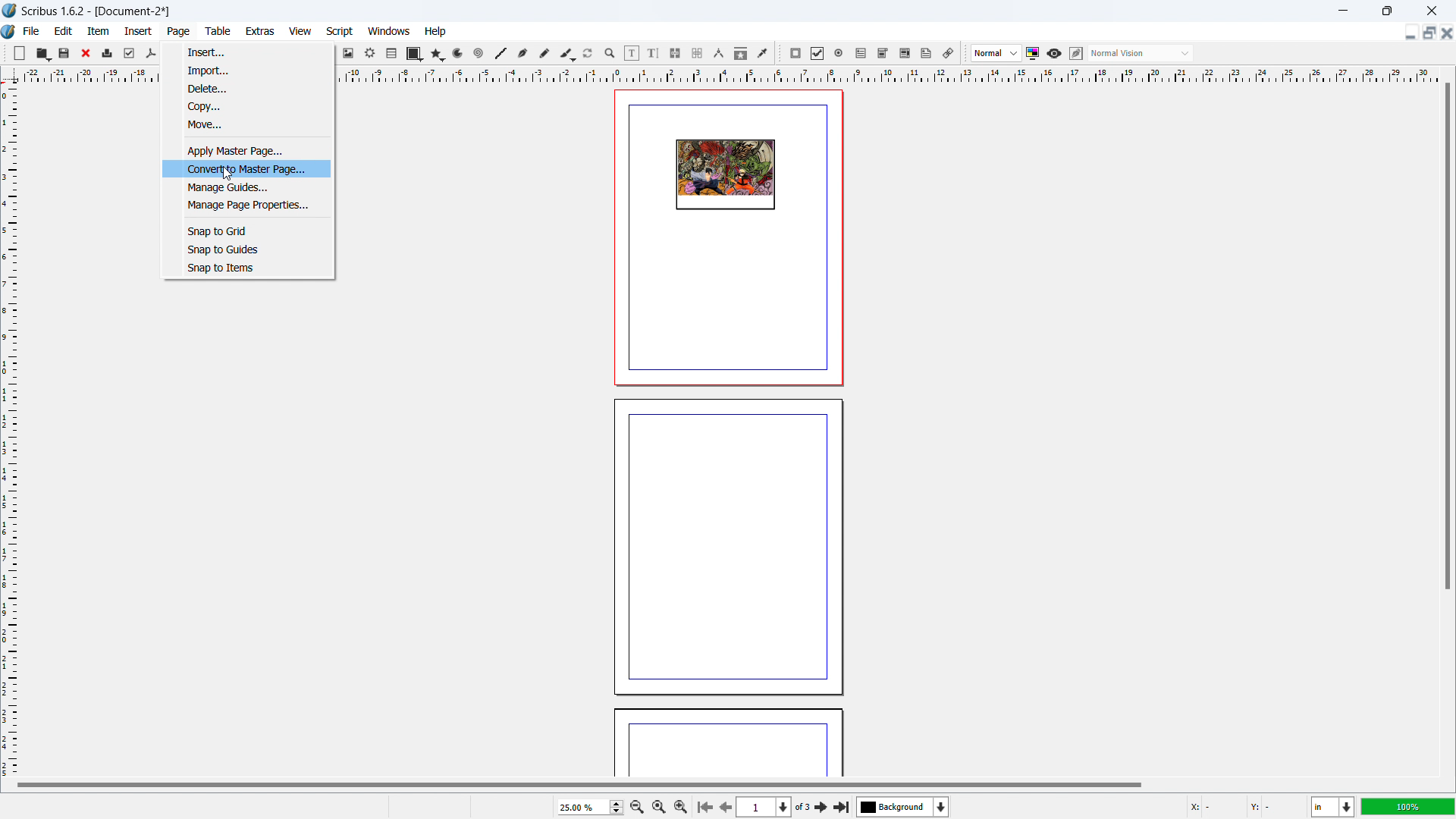 This screenshot has height=819, width=1456. I want to click on page, so click(180, 32).